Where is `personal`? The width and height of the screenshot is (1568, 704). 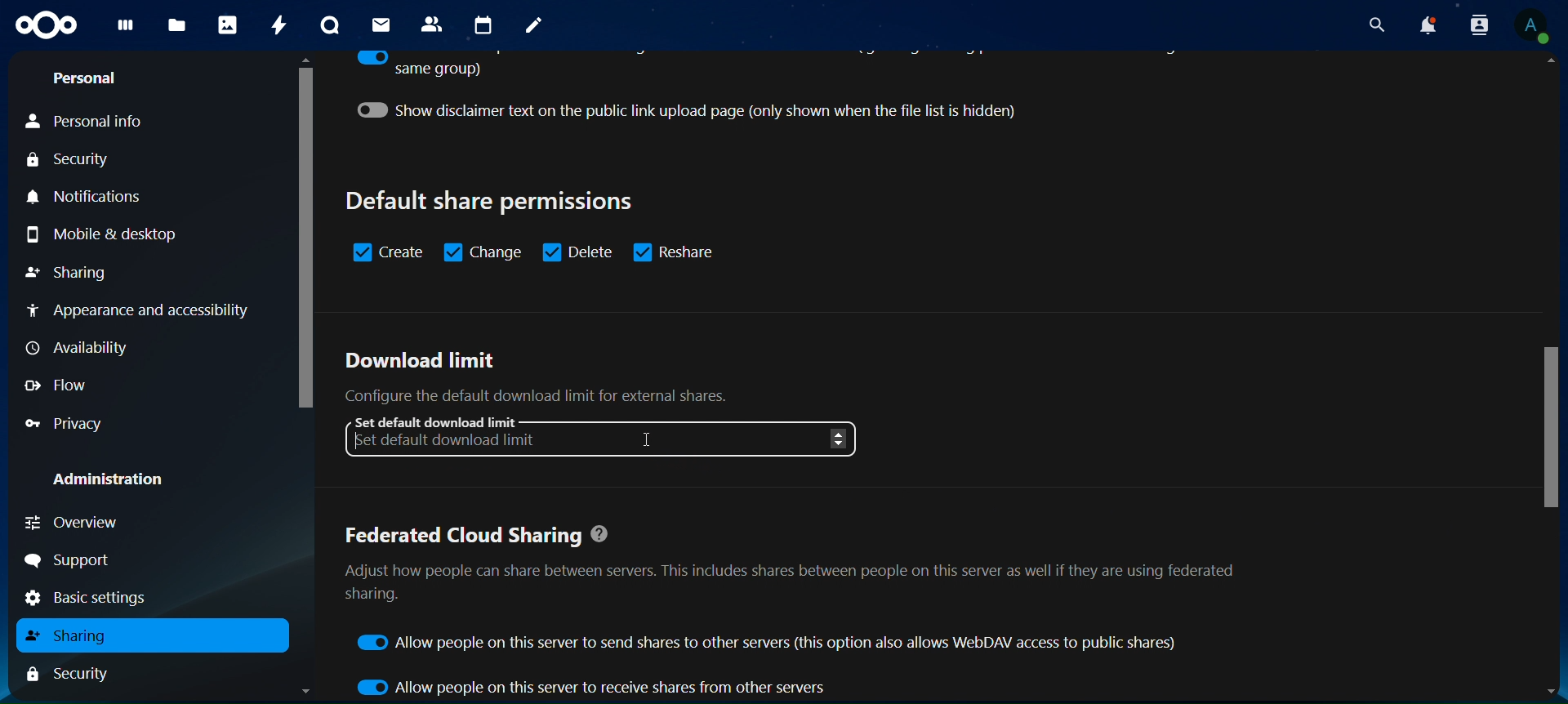 personal is located at coordinates (88, 77).